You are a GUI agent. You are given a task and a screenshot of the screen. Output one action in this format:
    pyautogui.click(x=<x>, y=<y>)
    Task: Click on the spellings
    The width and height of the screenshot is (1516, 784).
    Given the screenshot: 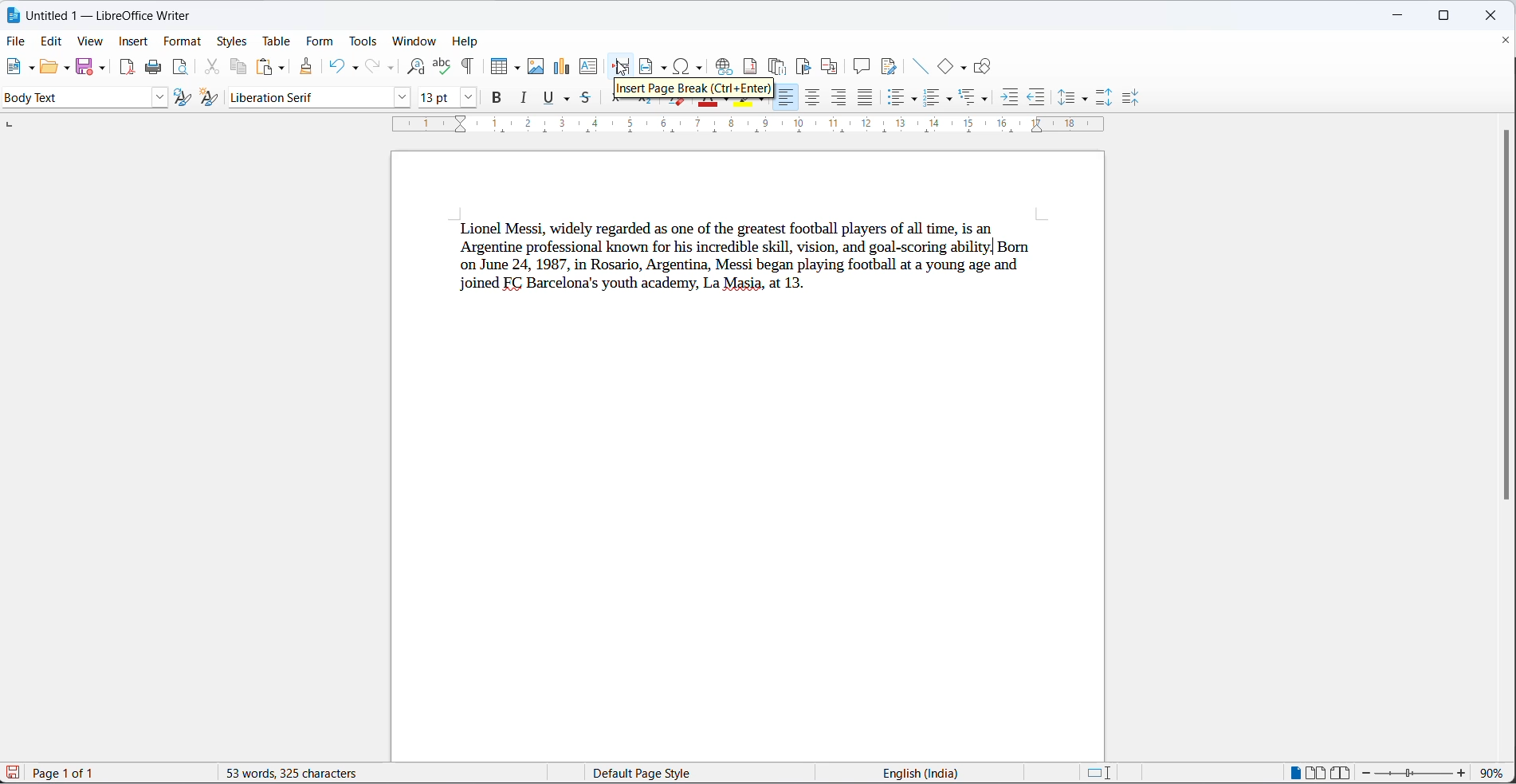 What is the action you would take?
    pyautogui.click(x=443, y=67)
    